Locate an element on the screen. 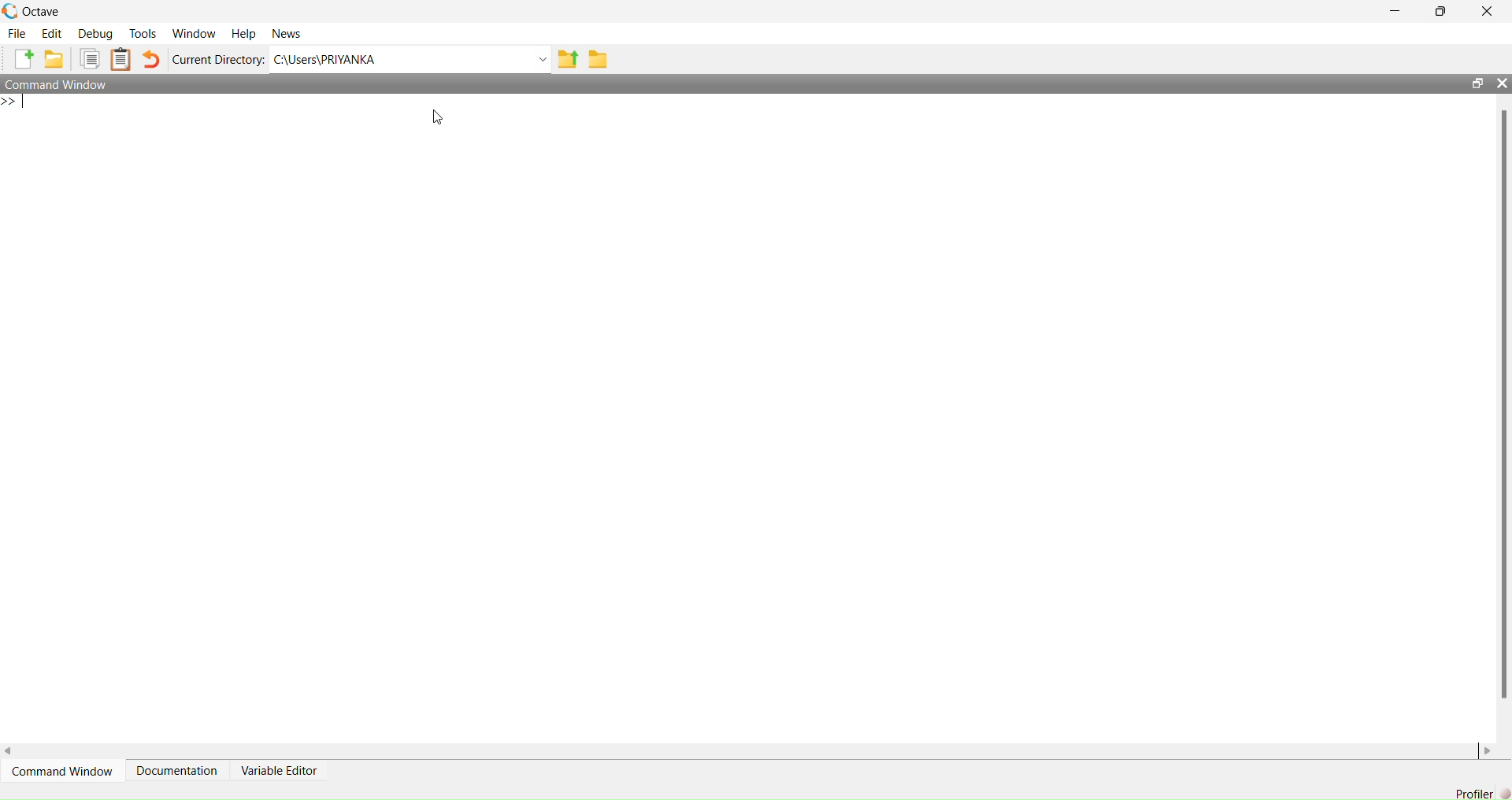 The height and width of the screenshot is (800, 1512). scrollbar is located at coordinates (1505, 405).